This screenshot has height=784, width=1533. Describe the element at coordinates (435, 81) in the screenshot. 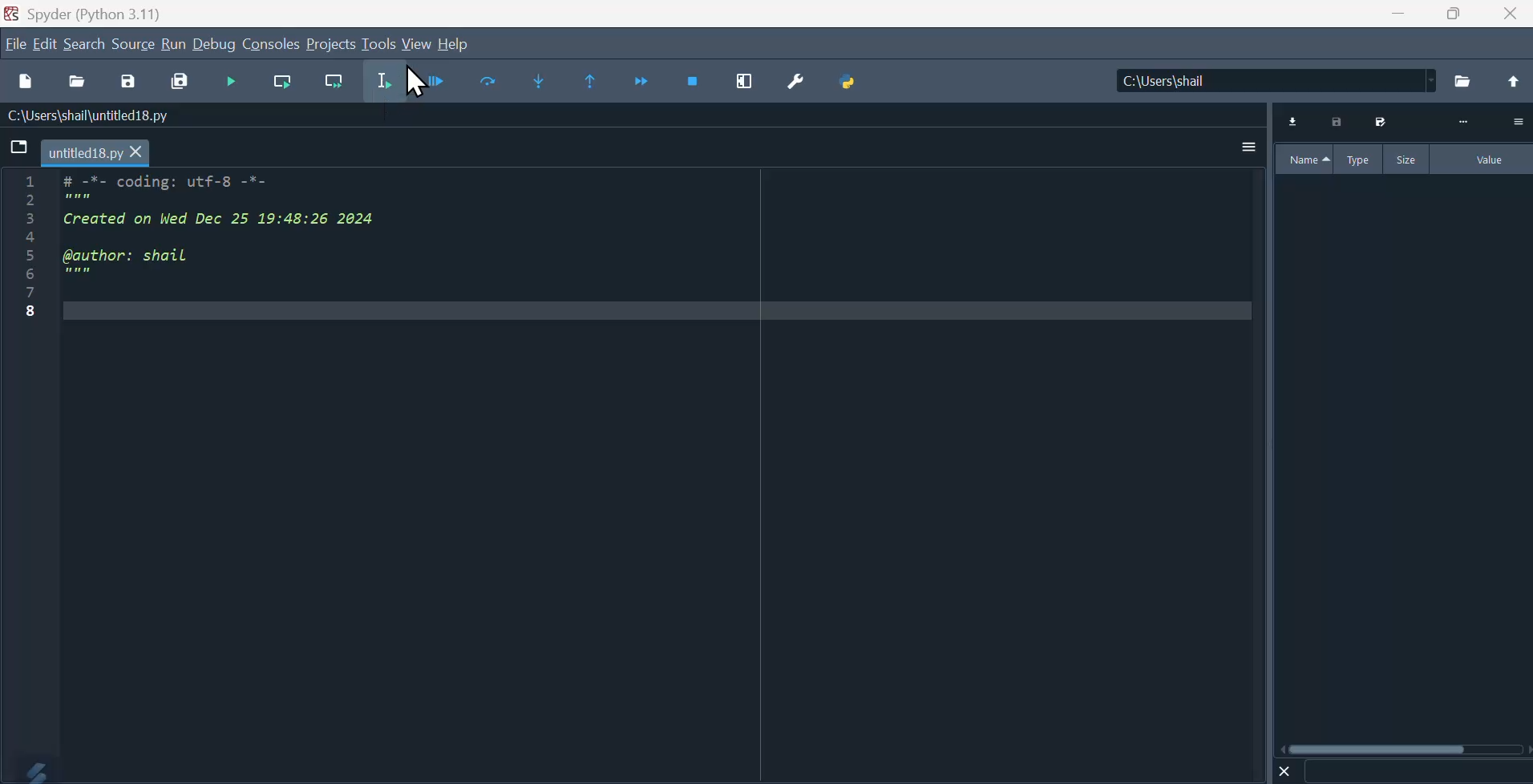

I see `Debugger` at that location.